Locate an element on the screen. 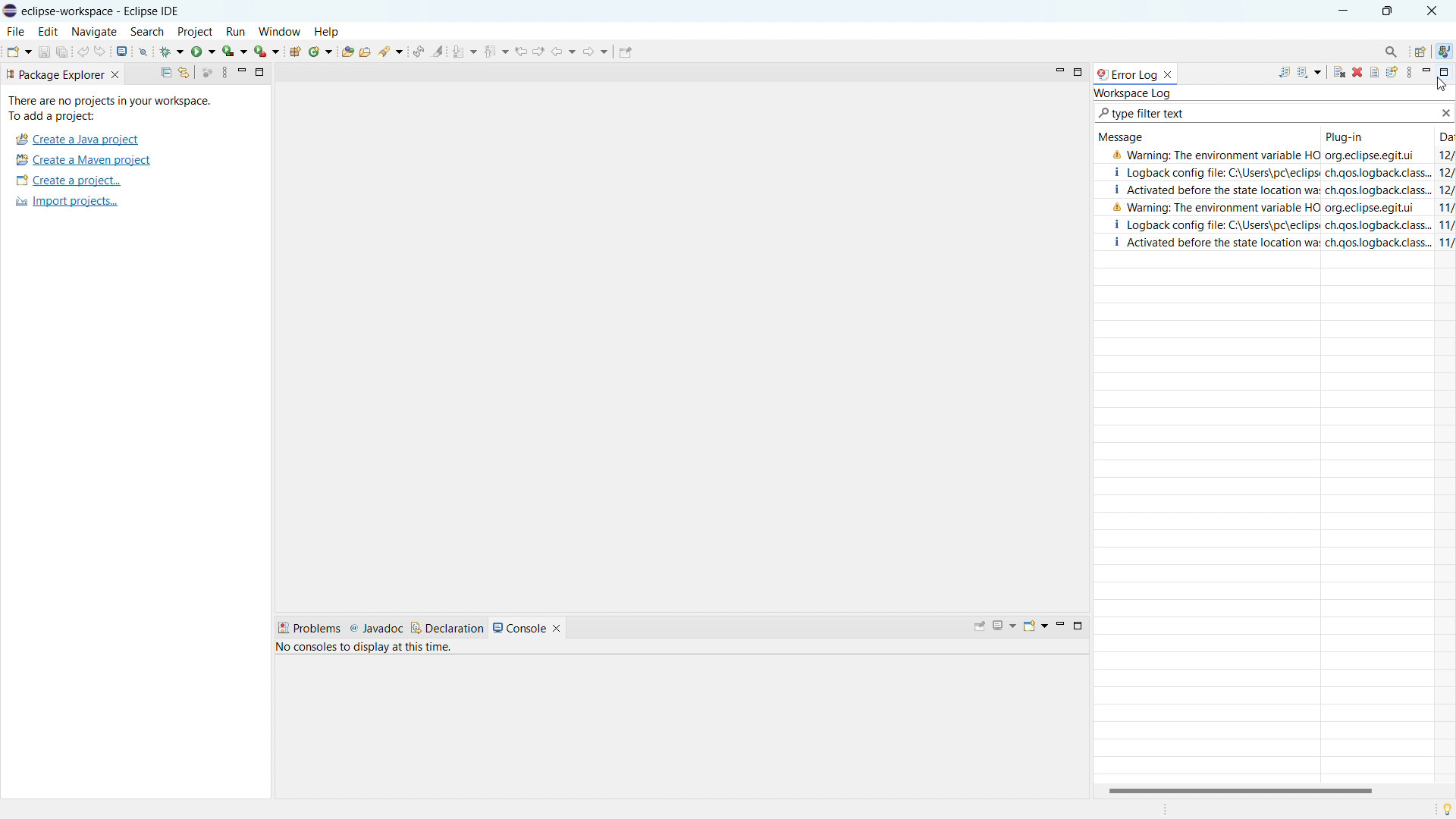  eclips logo is located at coordinates (10, 11).